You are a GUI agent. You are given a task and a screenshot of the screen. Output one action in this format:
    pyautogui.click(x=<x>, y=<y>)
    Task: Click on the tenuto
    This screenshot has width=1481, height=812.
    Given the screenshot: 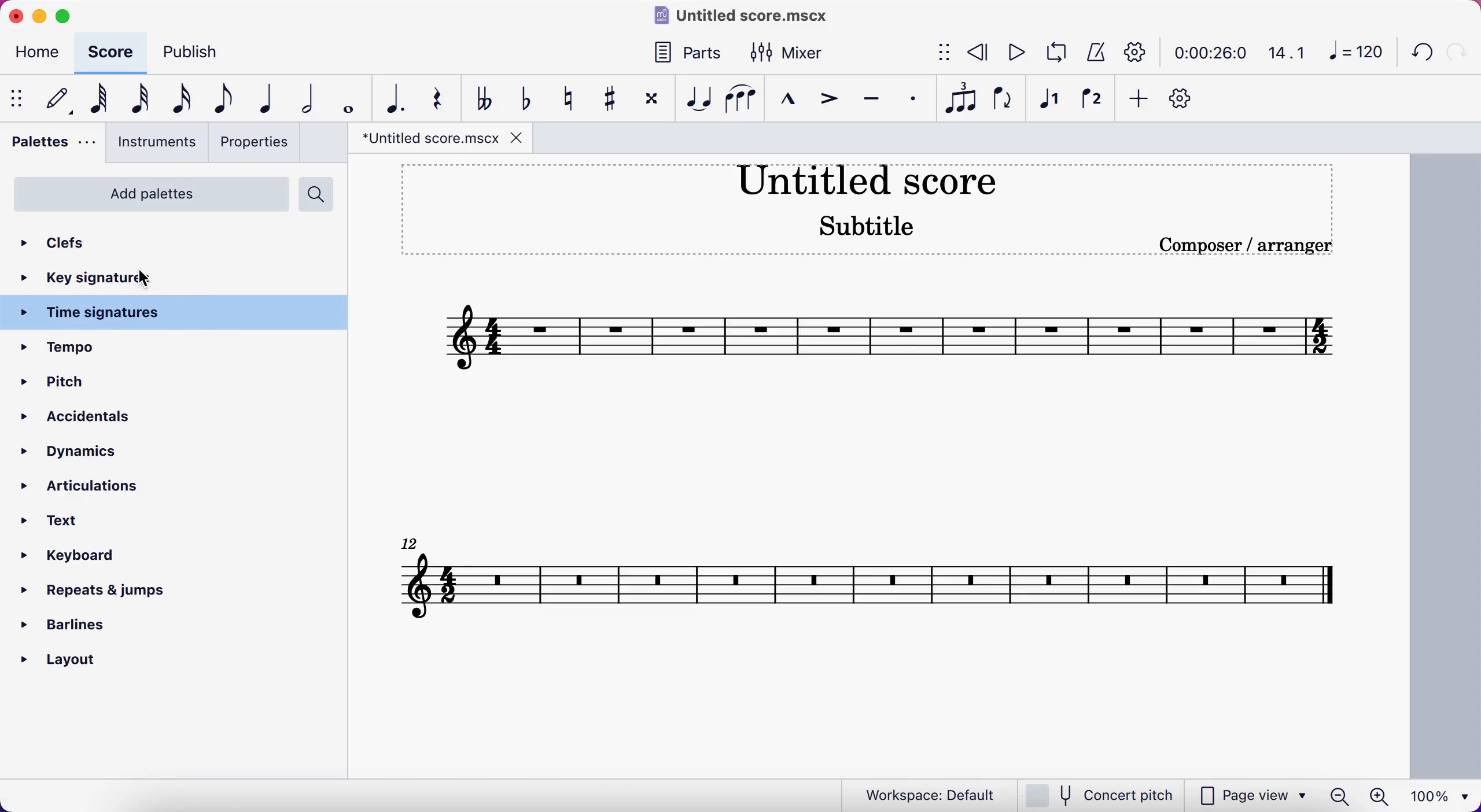 What is the action you would take?
    pyautogui.click(x=875, y=104)
    